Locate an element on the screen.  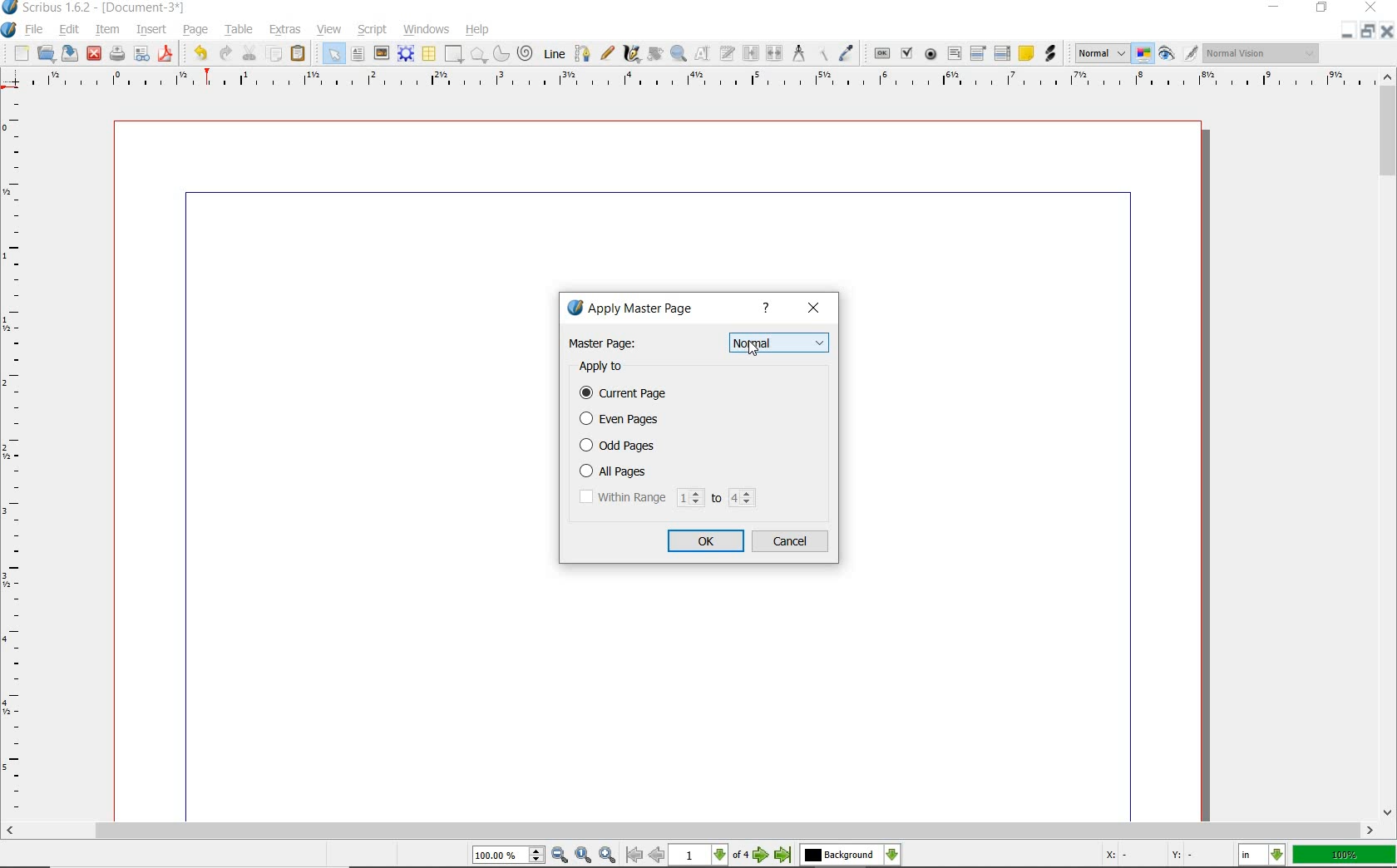
extras is located at coordinates (284, 27).